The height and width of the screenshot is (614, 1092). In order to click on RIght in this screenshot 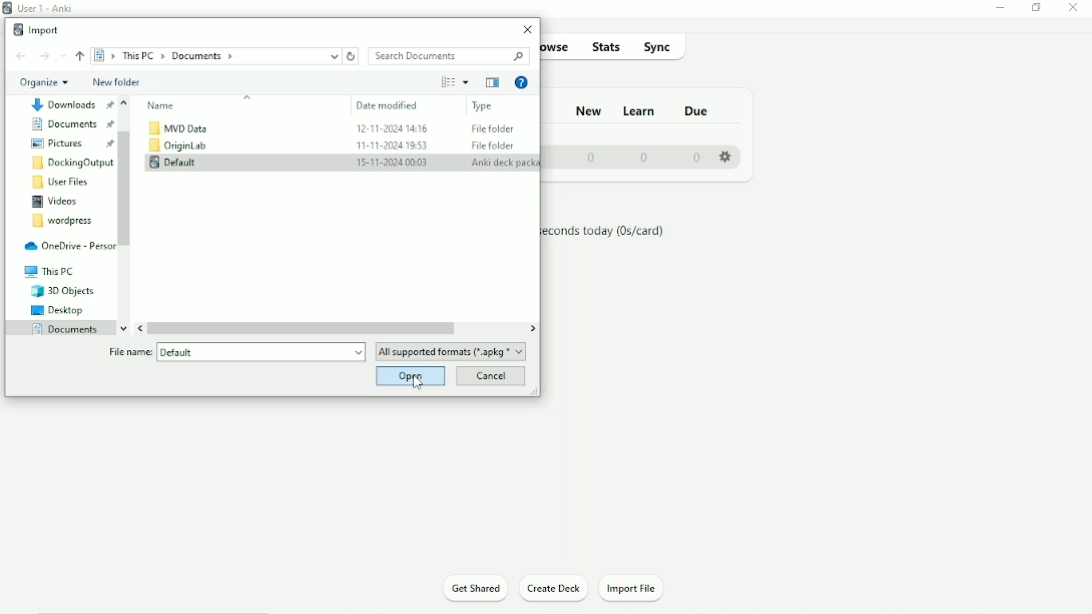, I will do `click(530, 328)`.